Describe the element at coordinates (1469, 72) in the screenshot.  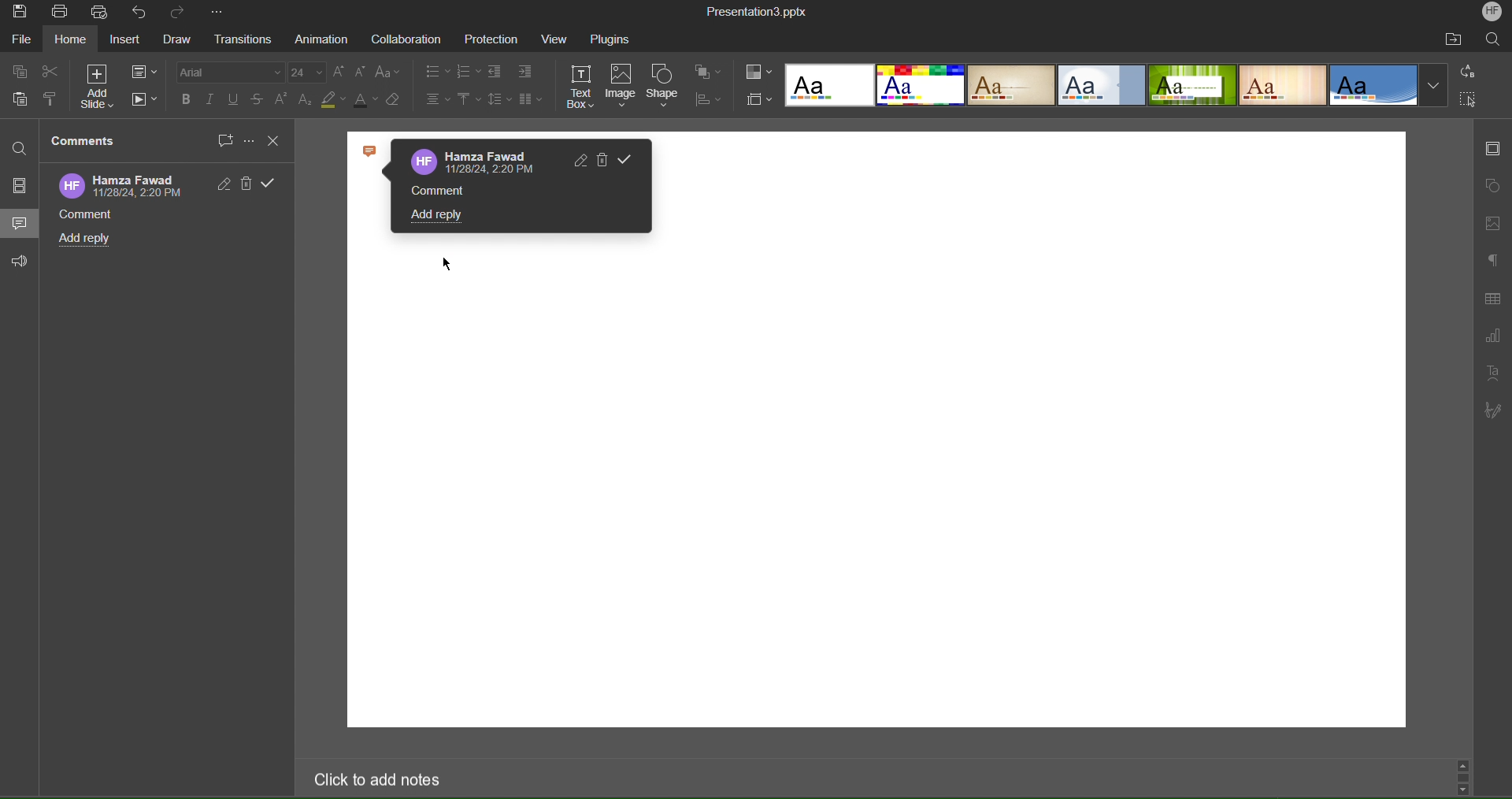
I see `Replace` at that location.